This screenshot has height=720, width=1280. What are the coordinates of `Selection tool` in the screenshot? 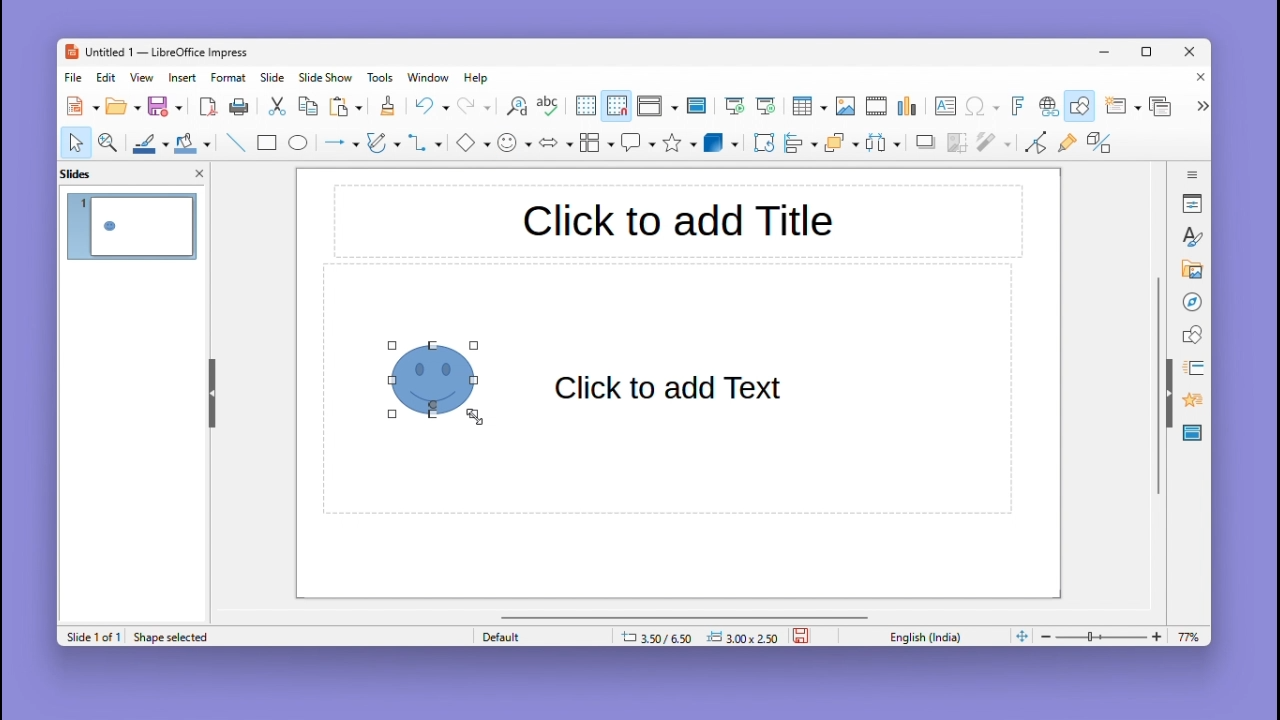 It's located at (75, 142).